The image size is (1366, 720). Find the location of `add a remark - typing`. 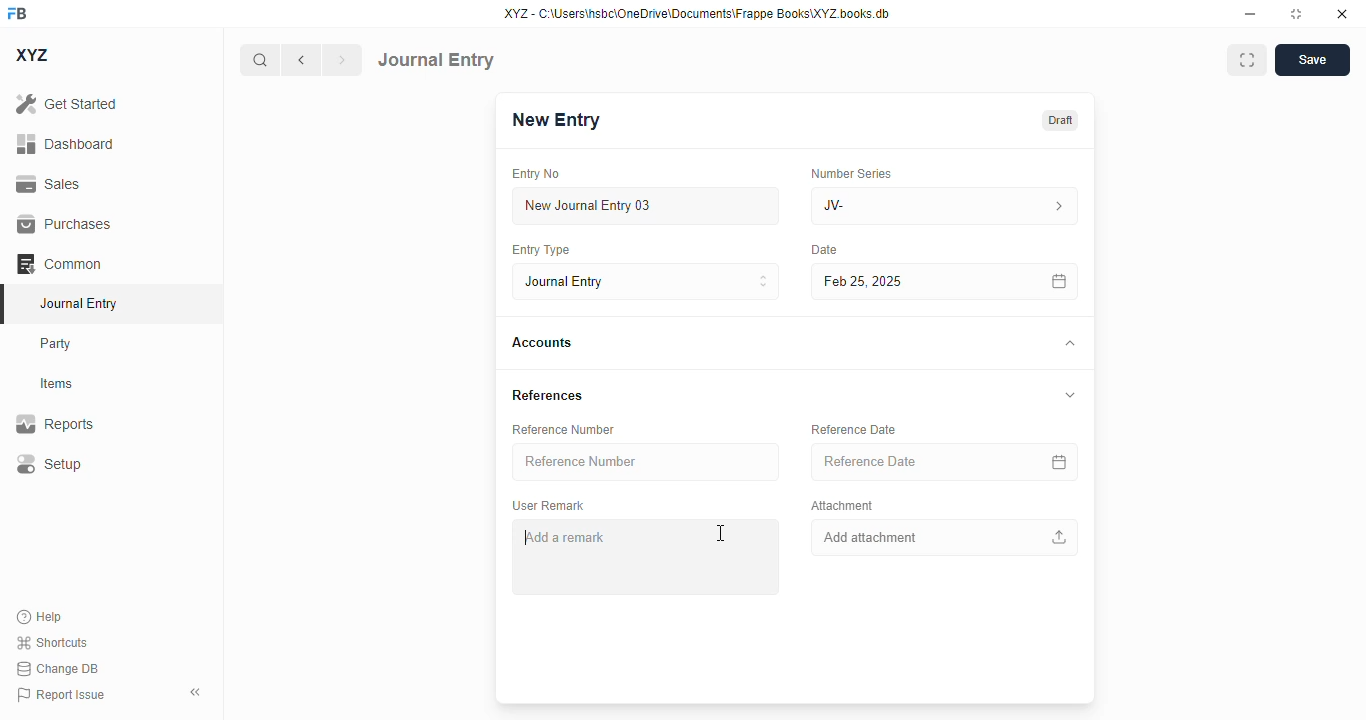

add a remark - typing is located at coordinates (644, 556).